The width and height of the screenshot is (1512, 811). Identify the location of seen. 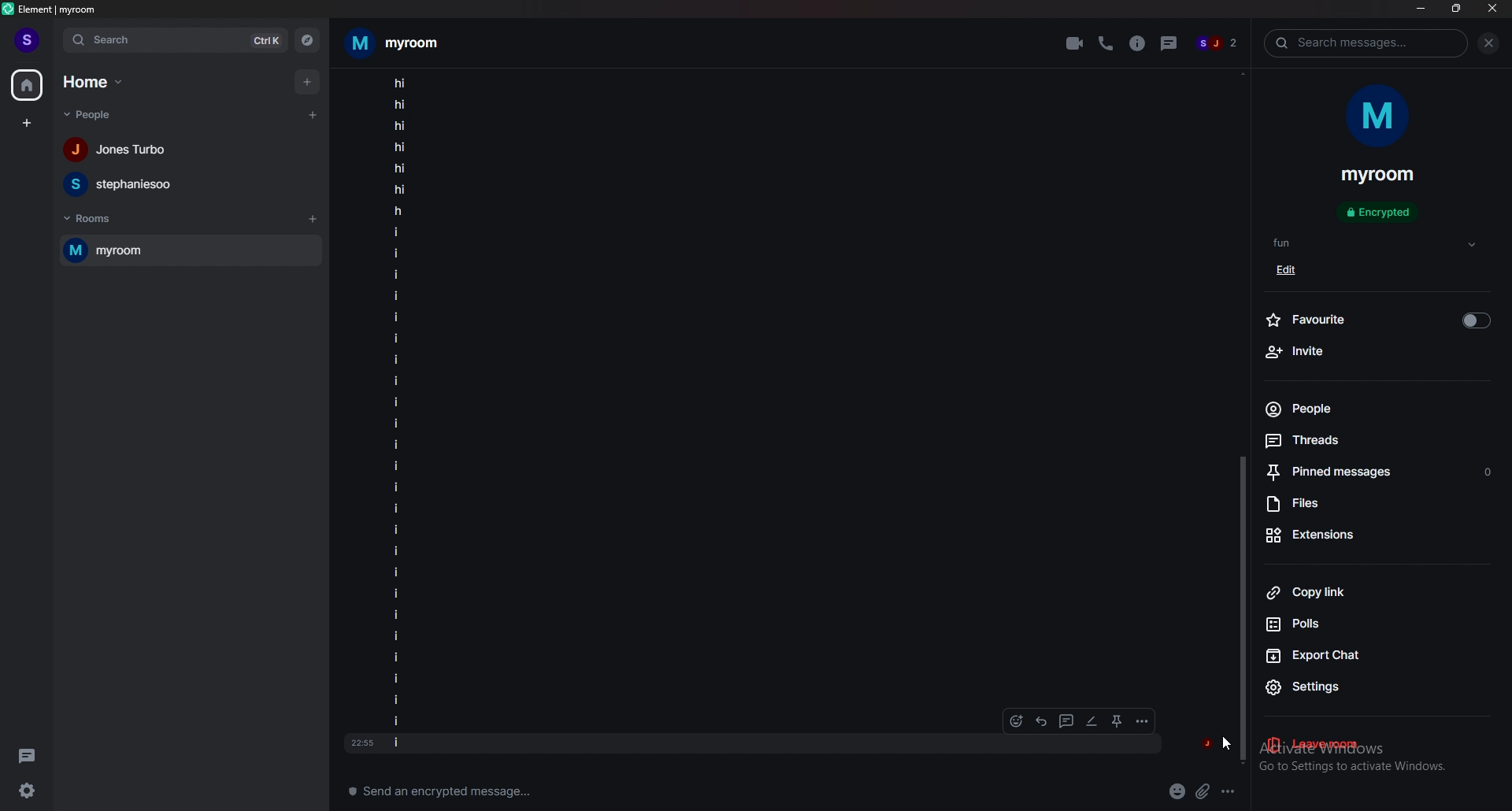
(1206, 743).